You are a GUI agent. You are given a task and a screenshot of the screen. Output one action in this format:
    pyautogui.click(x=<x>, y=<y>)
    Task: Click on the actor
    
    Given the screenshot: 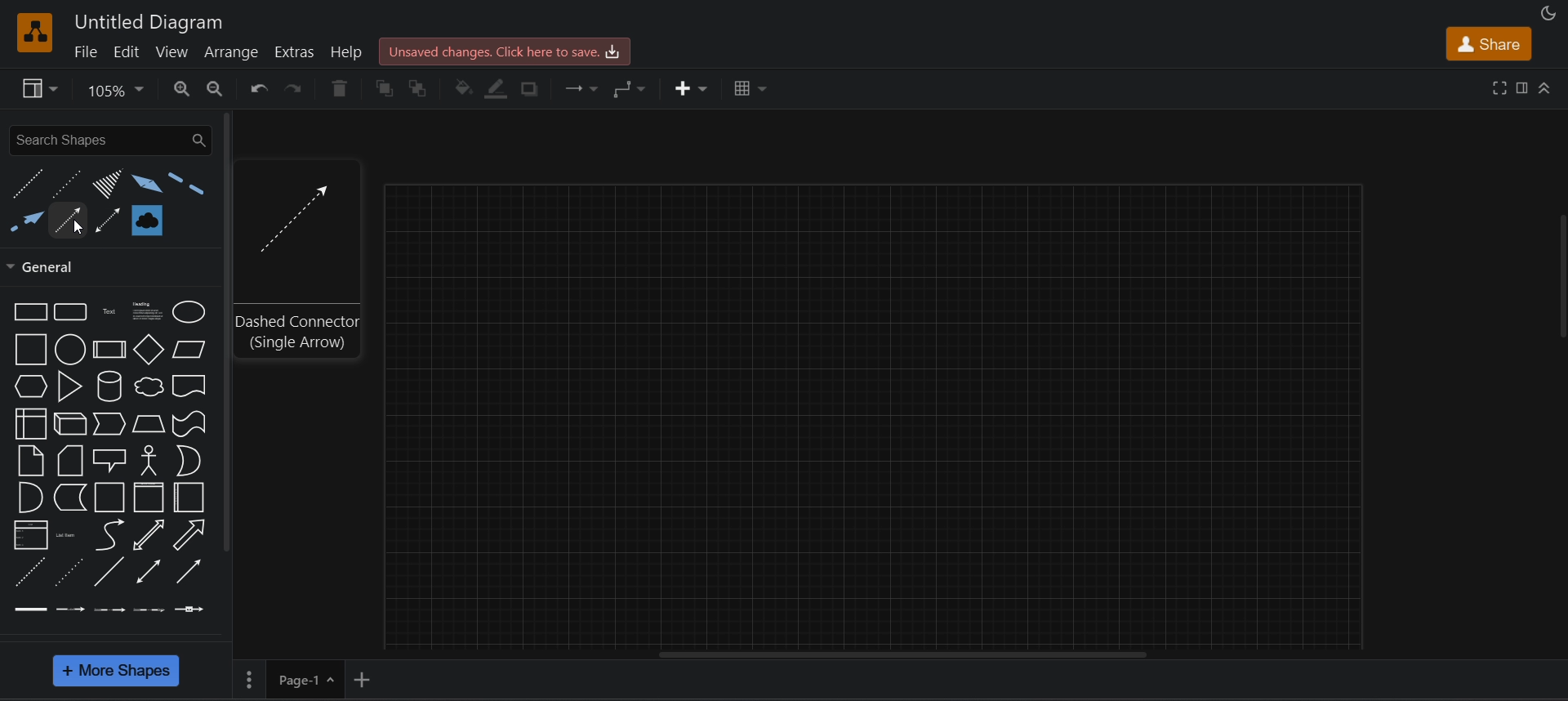 What is the action you would take?
    pyautogui.click(x=149, y=460)
    